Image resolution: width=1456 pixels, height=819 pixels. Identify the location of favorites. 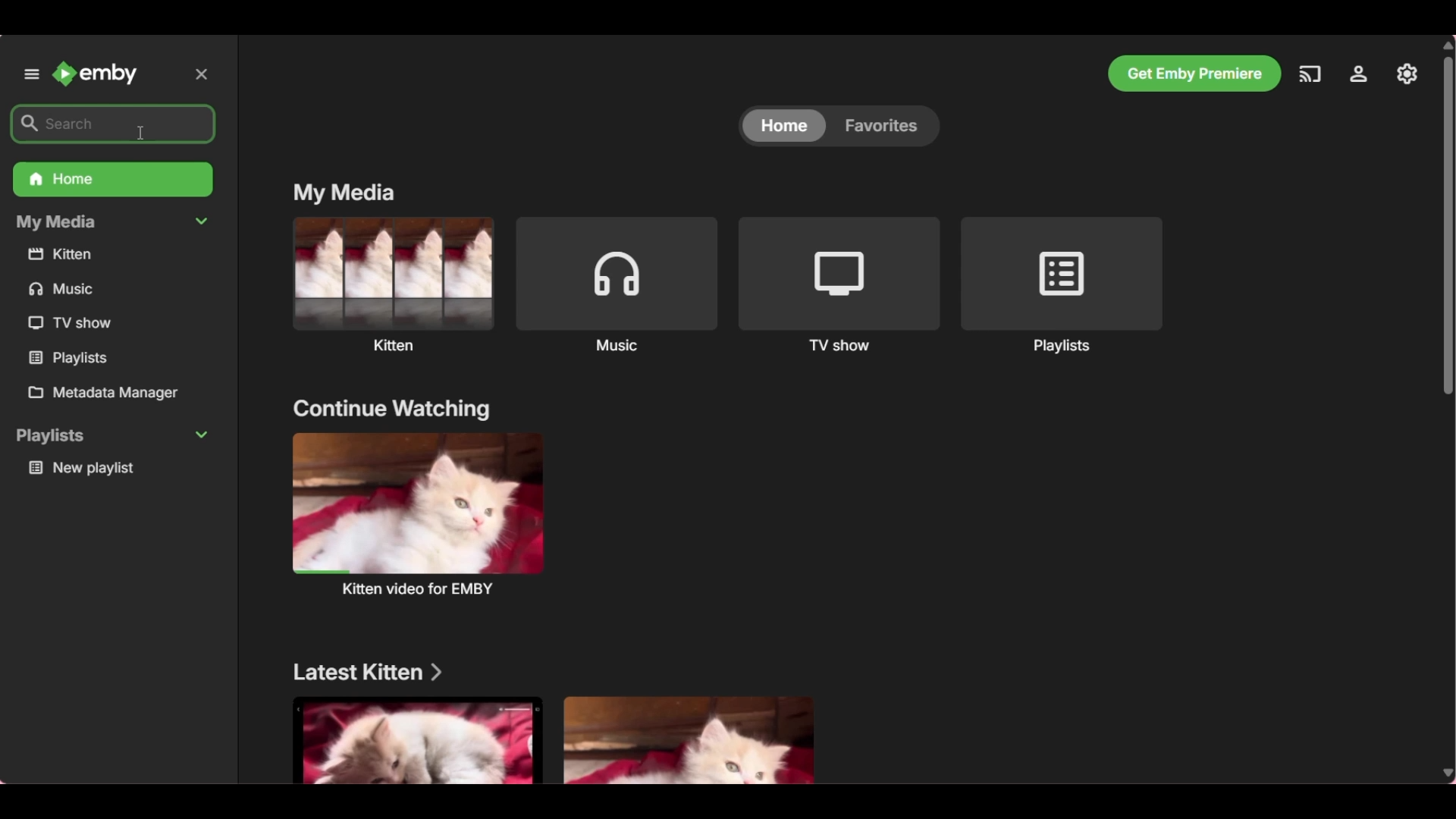
(886, 125).